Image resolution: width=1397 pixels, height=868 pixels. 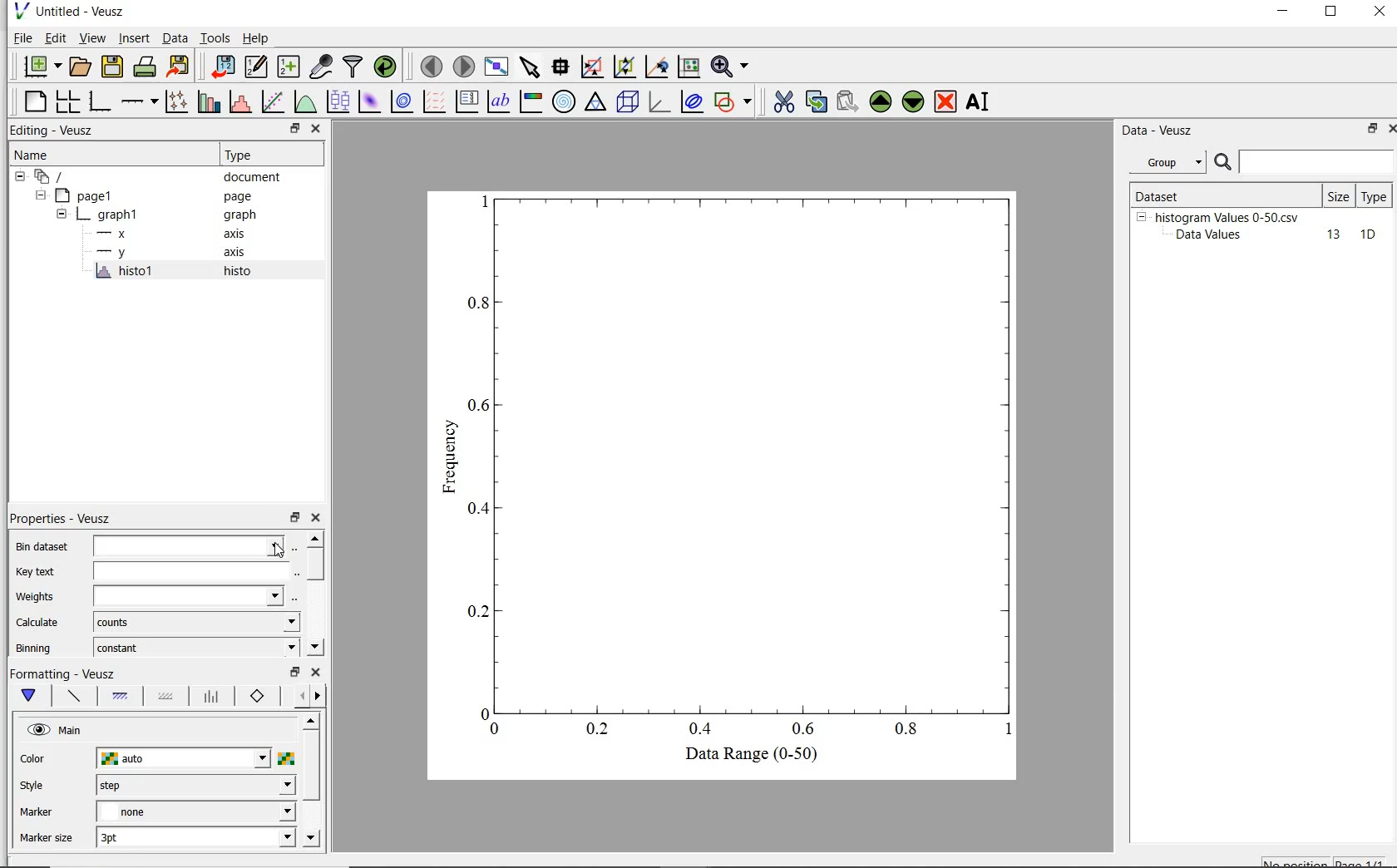 What do you see at coordinates (338, 101) in the screenshot?
I see `plot boxplots` at bounding box center [338, 101].